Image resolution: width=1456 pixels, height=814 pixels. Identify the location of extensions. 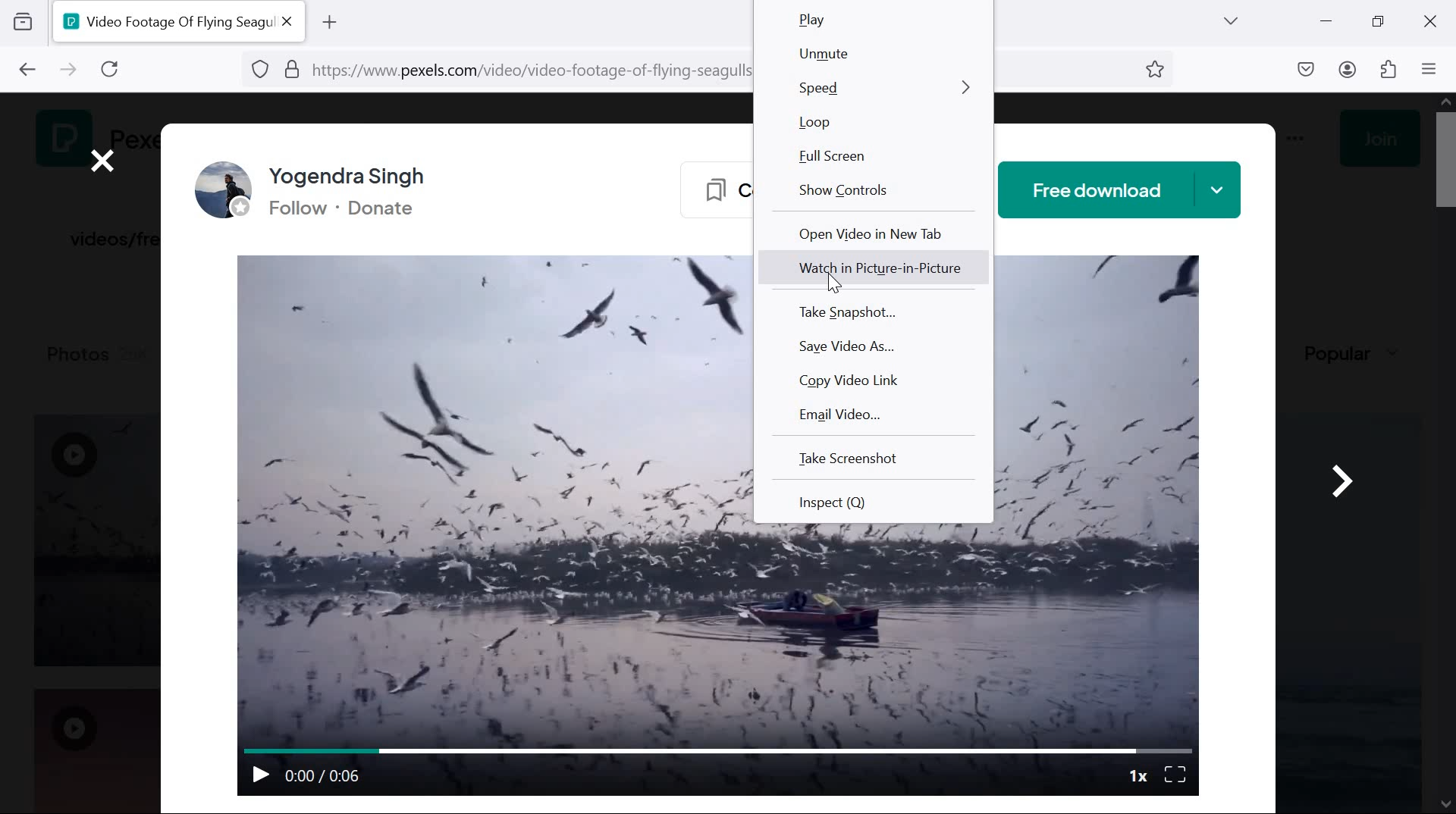
(1391, 70).